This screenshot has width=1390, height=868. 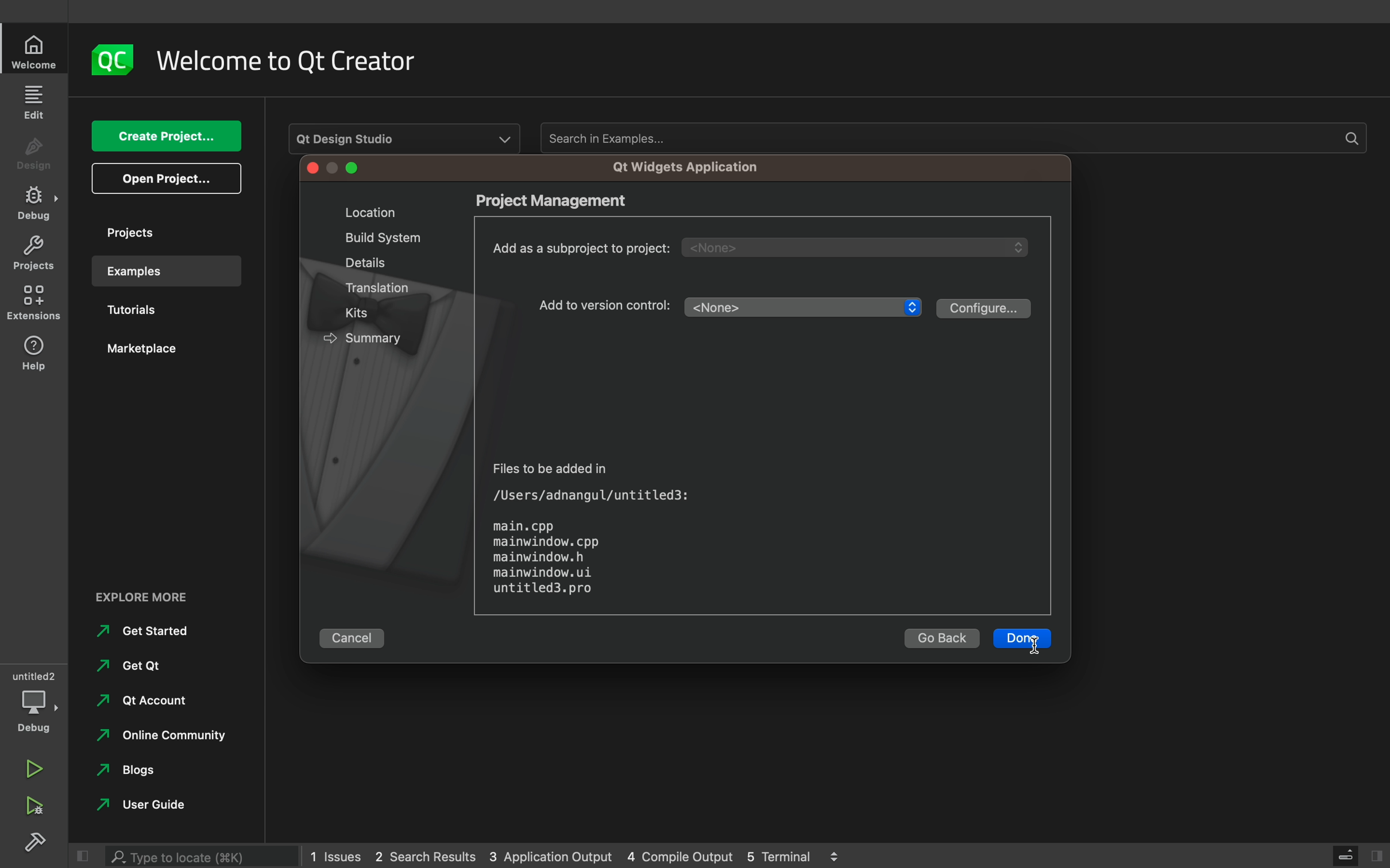 What do you see at coordinates (130, 774) in the screenshot?
I see `b;ogs` at bounding box center [130, 774].